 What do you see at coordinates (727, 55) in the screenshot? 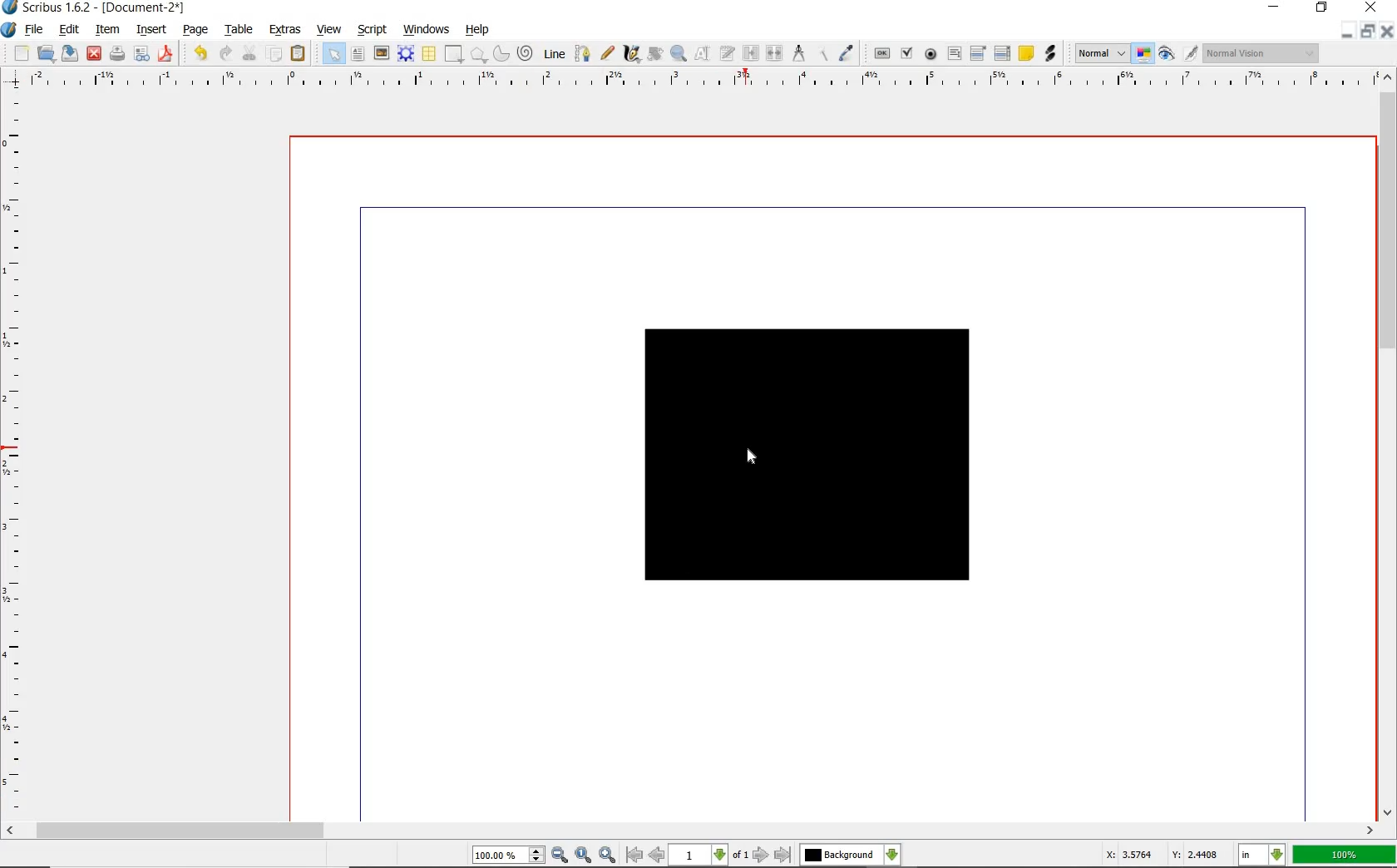
I see `edit text with story editor` at bounding box center [727, 55].